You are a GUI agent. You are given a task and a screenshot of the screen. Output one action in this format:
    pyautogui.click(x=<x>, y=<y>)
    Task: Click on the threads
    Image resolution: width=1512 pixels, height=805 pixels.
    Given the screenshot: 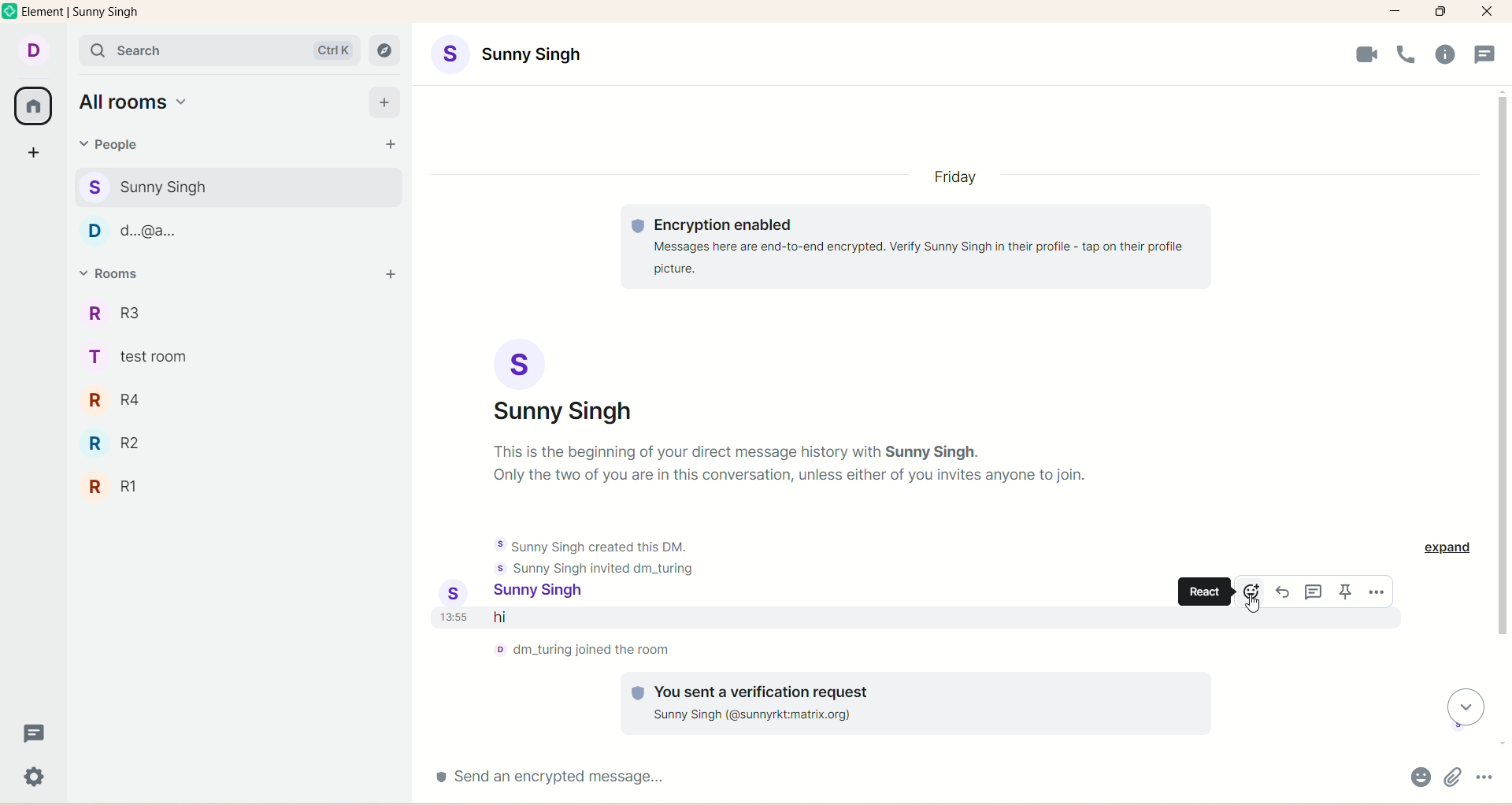 What is the action you would take?
    pyautogui.click(x=1485, y=54)
    